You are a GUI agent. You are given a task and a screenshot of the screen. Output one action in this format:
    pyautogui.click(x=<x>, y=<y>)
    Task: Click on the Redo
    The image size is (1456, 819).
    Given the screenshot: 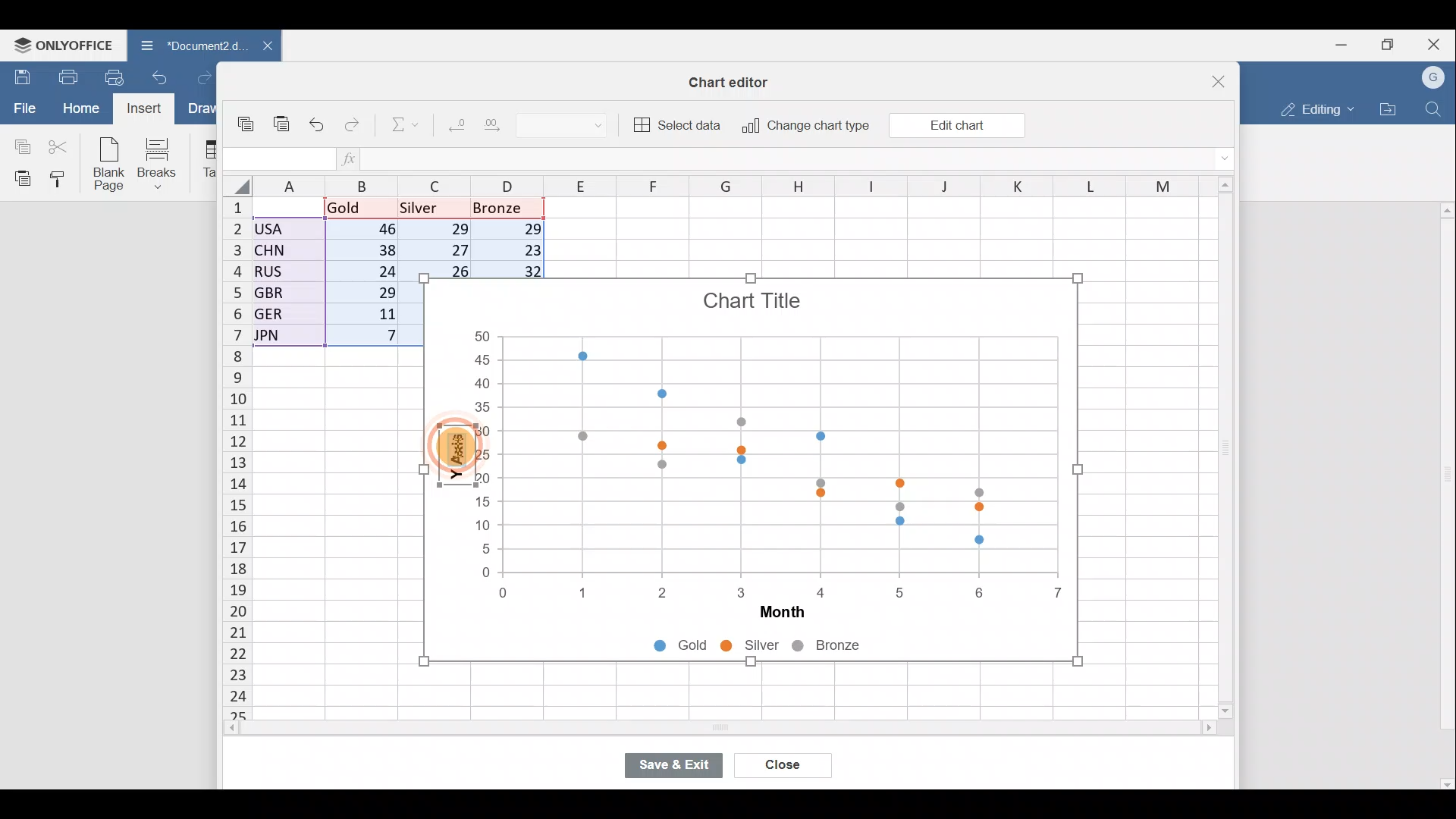 What is the action you would take?
    pyautogui.click(x=205, y=76)
    